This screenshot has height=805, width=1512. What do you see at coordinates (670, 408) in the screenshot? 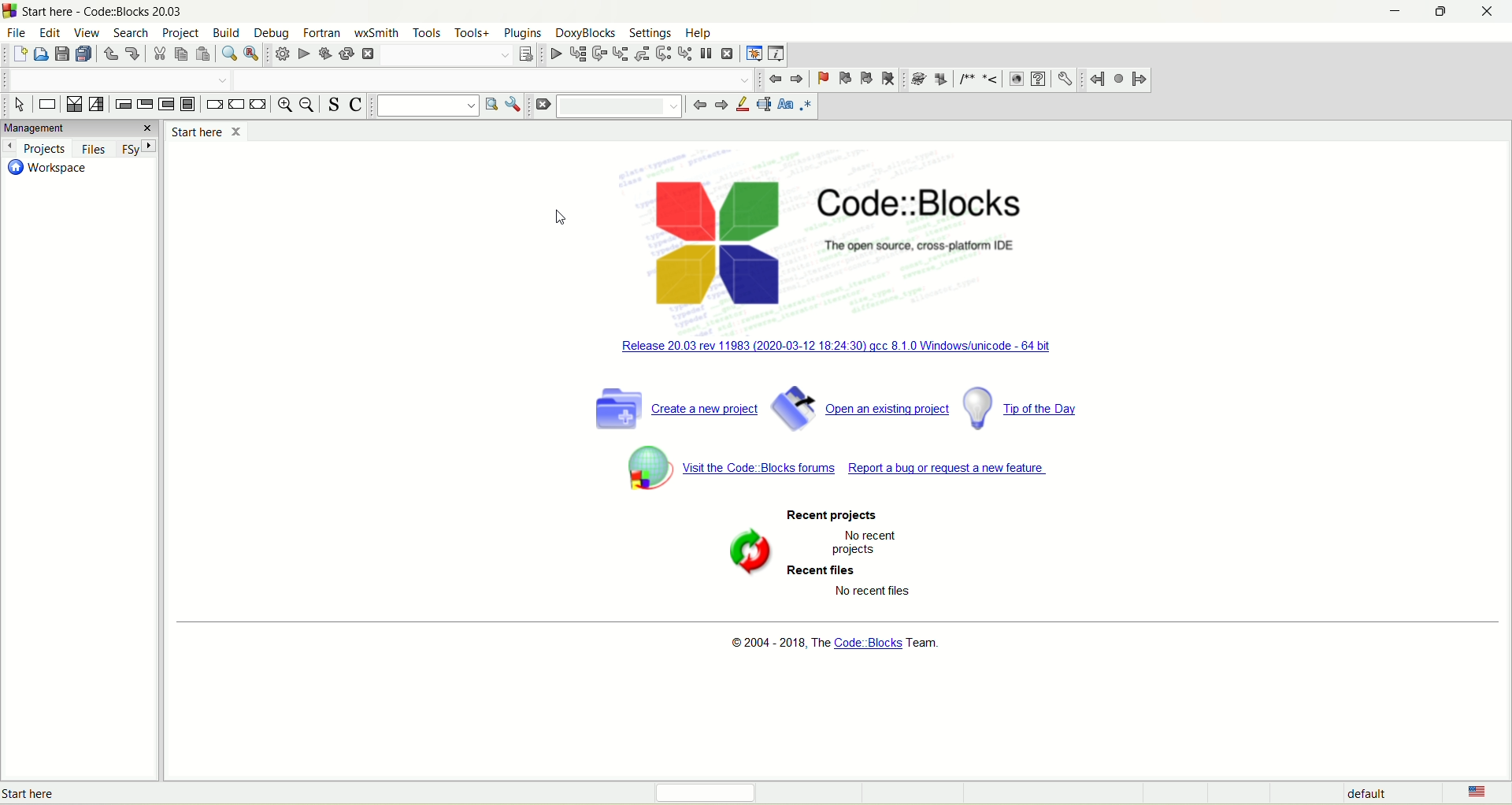
I see `create a new project` at bounding box center [670, 408].